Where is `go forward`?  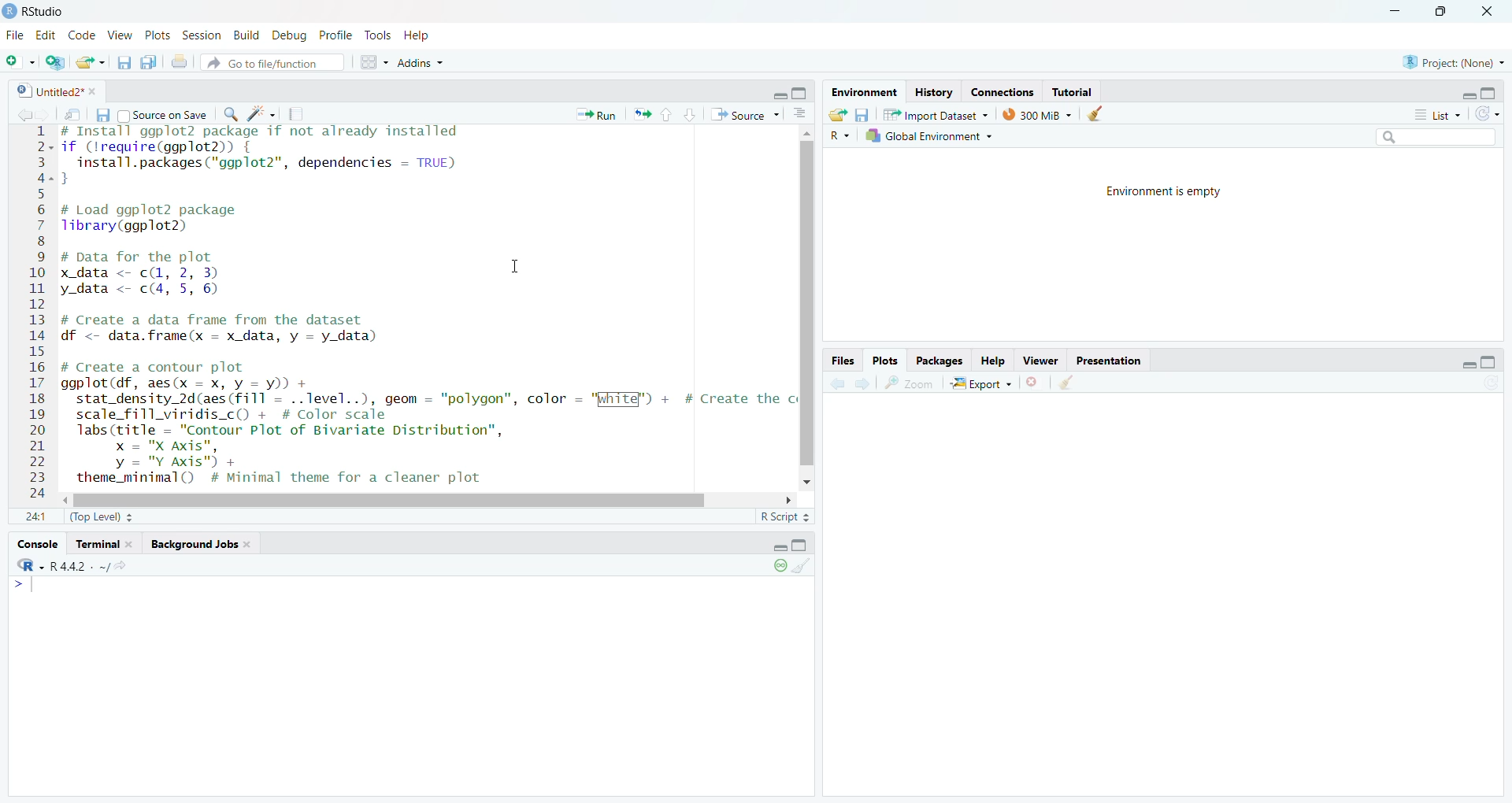
go forward is located at coordinates (861, 383).